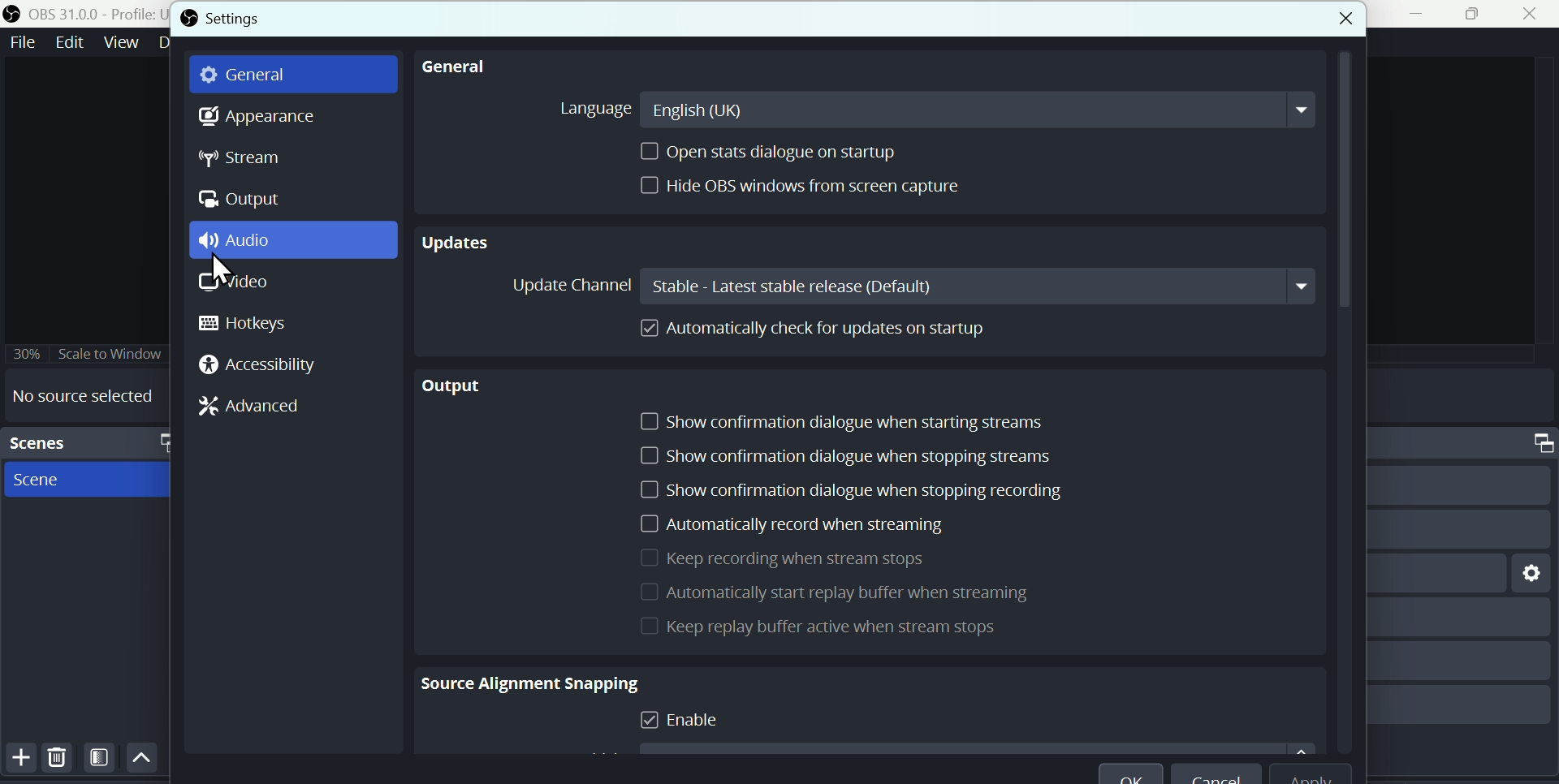  Describe the element at coordinates (254, 325) in the screenshot. I see `Hotkeys` at that location.